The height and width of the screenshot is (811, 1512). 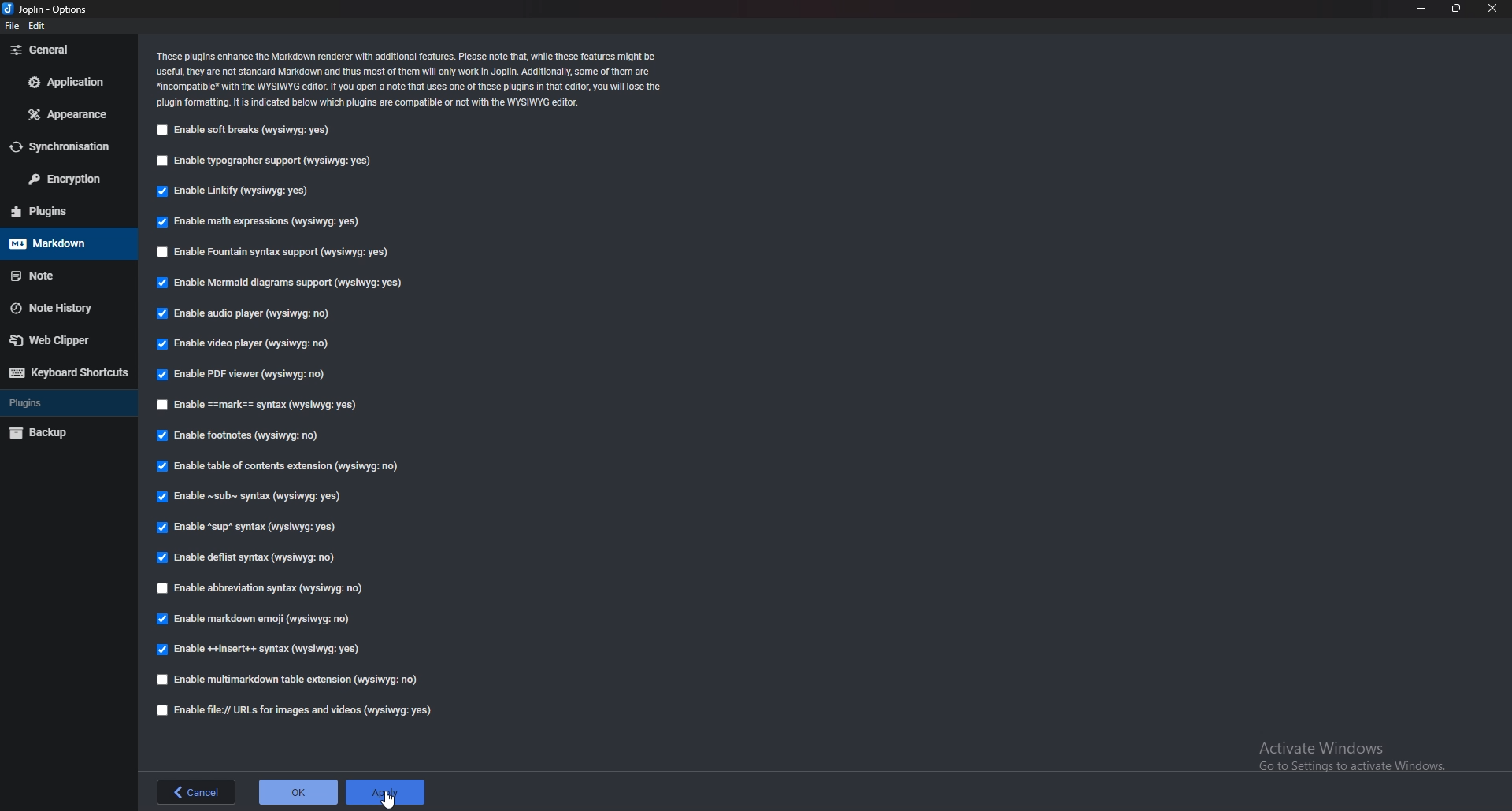 I want to click on back, so click(x=195, y=791).